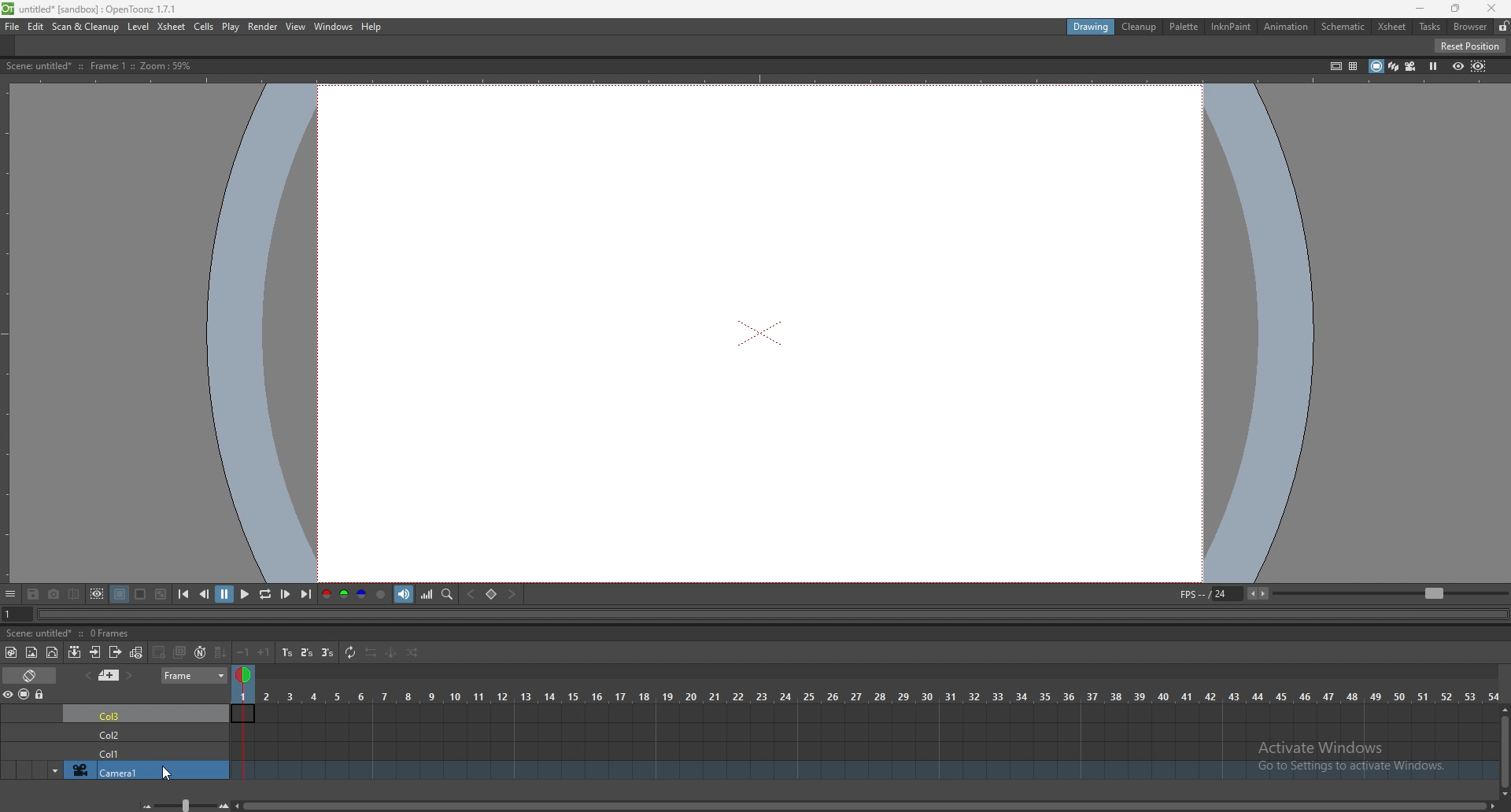  Describe the element at coordinates (264, 651) in the screenshot. I see `increase step` at that location.